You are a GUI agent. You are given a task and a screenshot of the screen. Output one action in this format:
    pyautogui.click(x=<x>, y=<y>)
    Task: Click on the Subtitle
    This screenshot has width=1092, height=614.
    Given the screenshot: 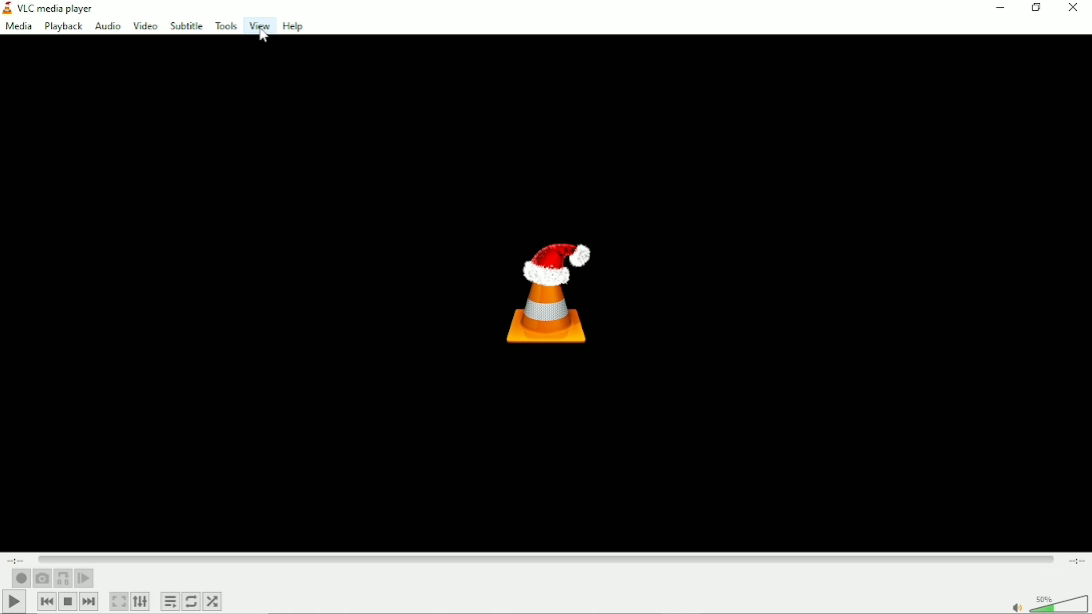 What is the action you would take?
    pyautogui.click(x=185, y=25)
    